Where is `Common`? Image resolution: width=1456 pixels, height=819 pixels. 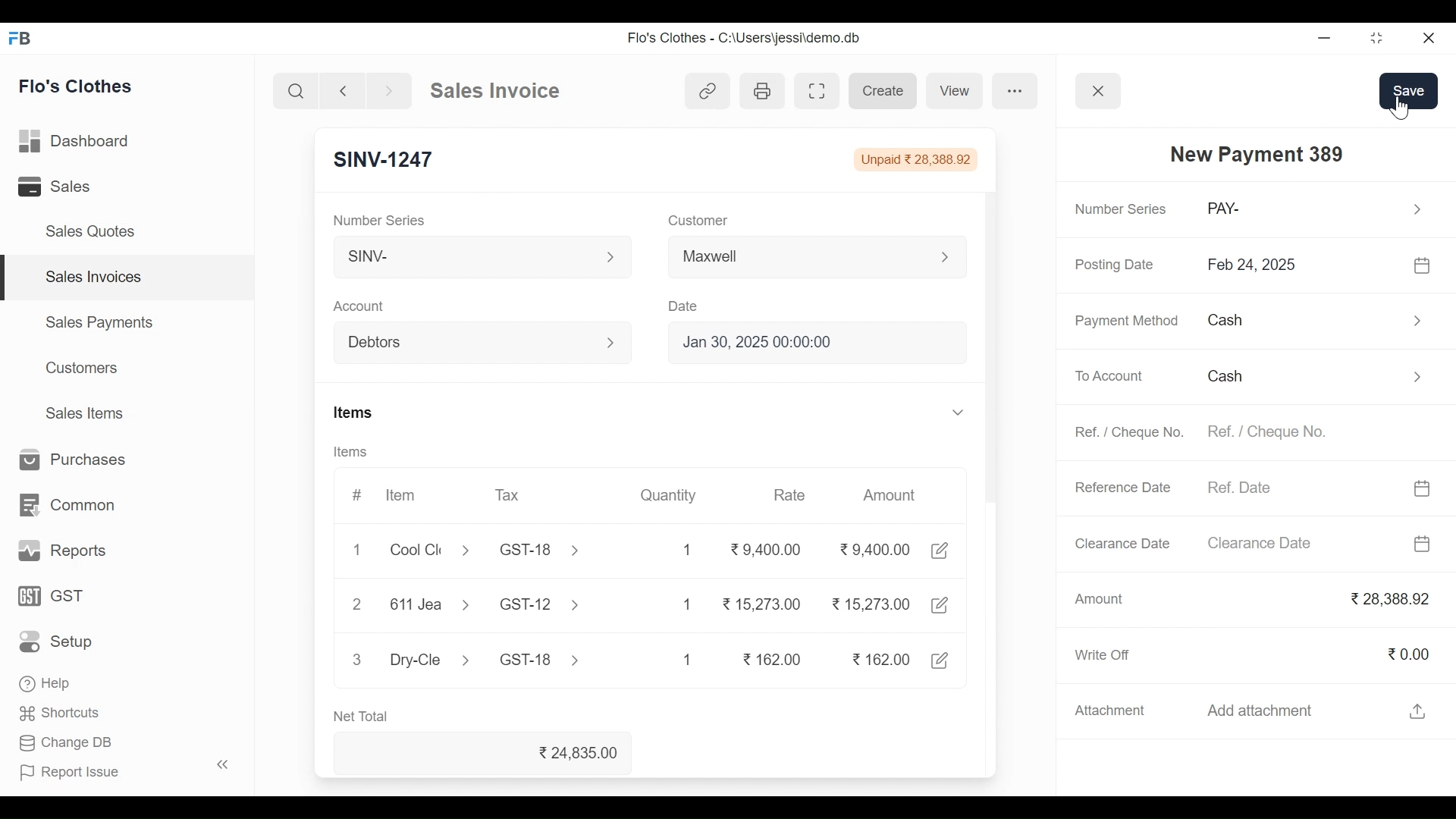 Common is located at coordinates (64, 506).